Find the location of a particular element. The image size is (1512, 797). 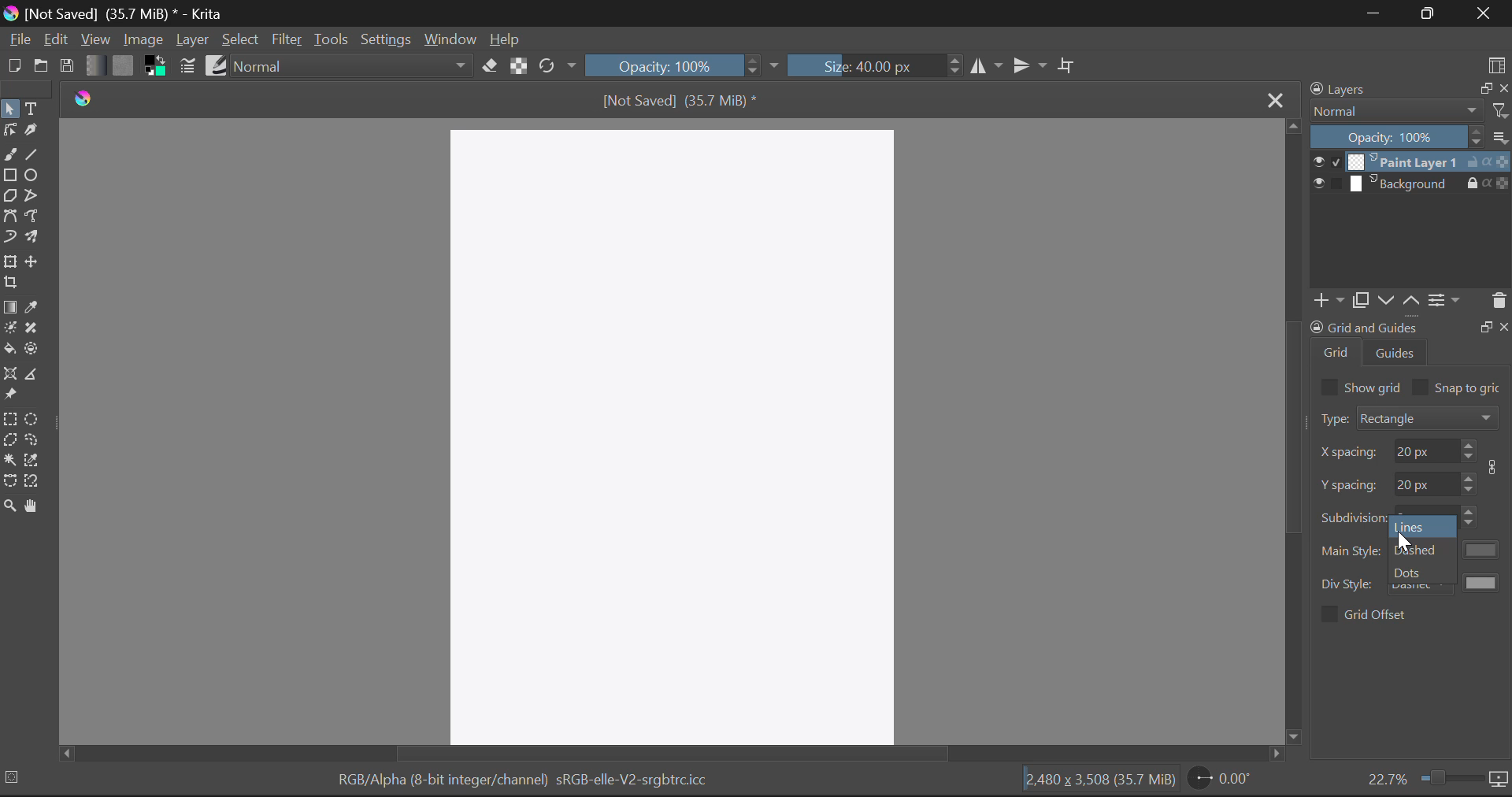

actions is located at coordinates (1488, 182).